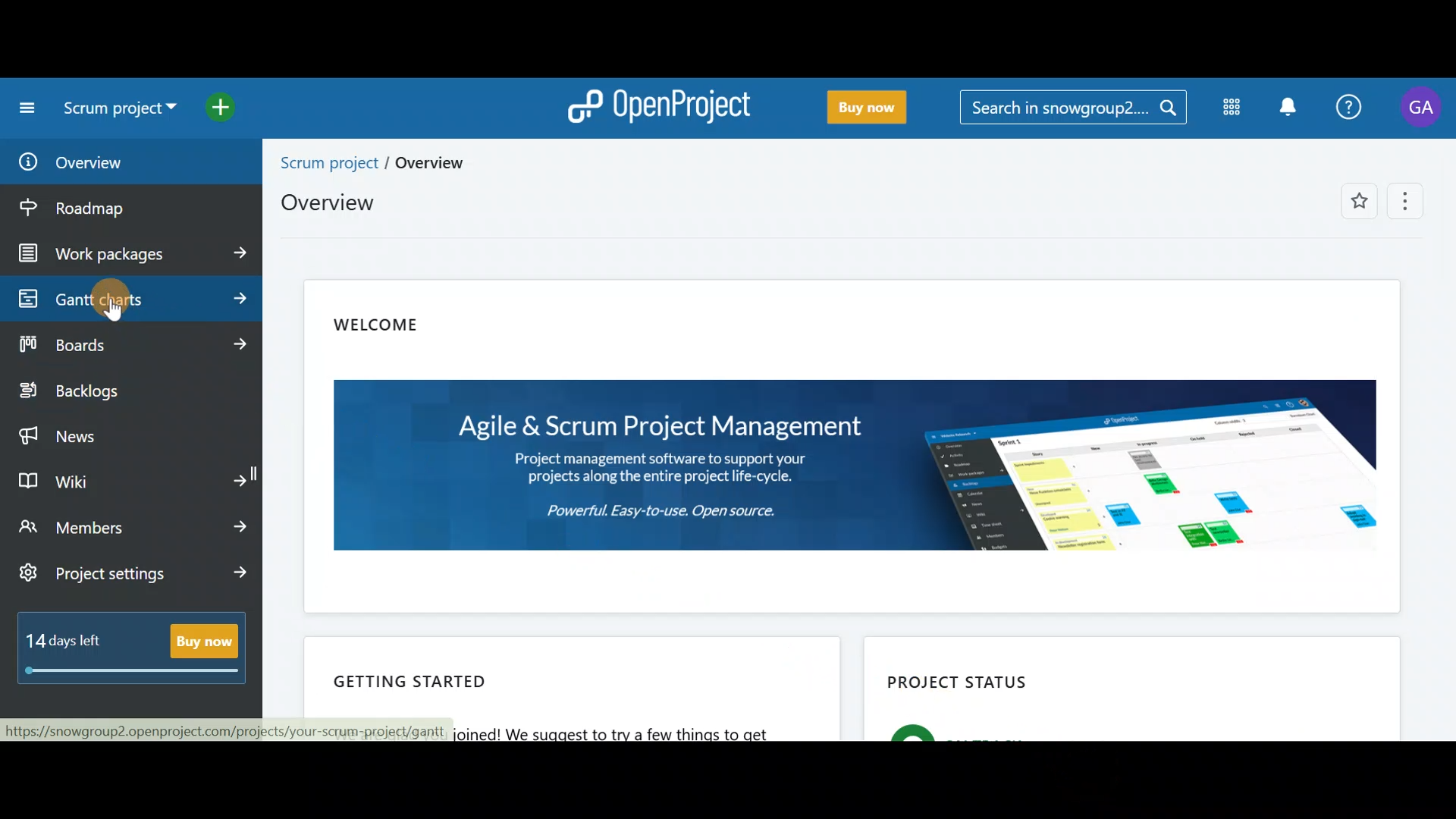 The image size is (1456, 819). What do you see at coordinates (127, 435) in the screenshot?
I see `News` at bounding box center [127, 435].